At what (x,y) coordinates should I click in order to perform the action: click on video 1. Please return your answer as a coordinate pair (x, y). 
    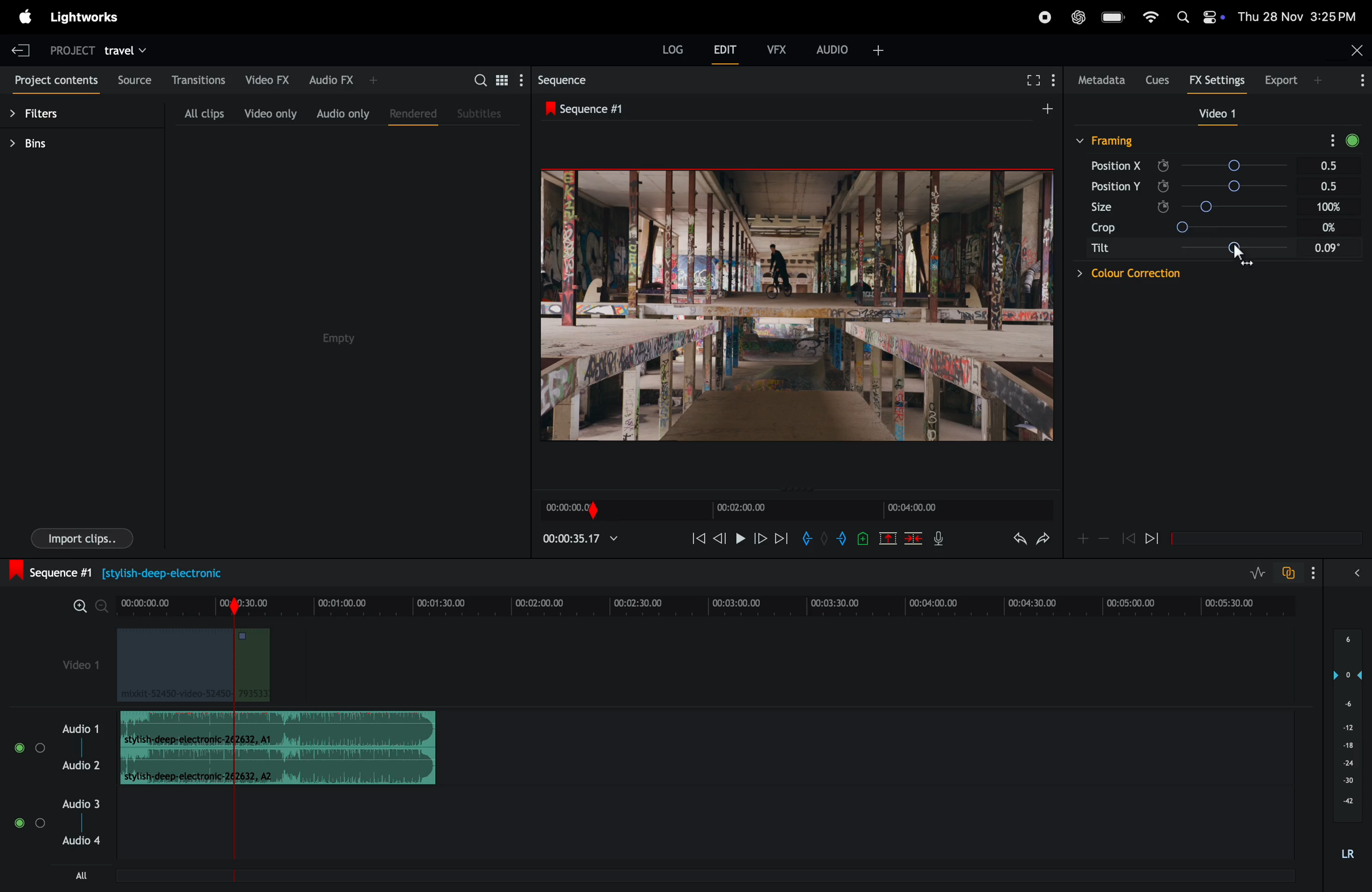
    Looking at the image, I should click on (1223, 114).